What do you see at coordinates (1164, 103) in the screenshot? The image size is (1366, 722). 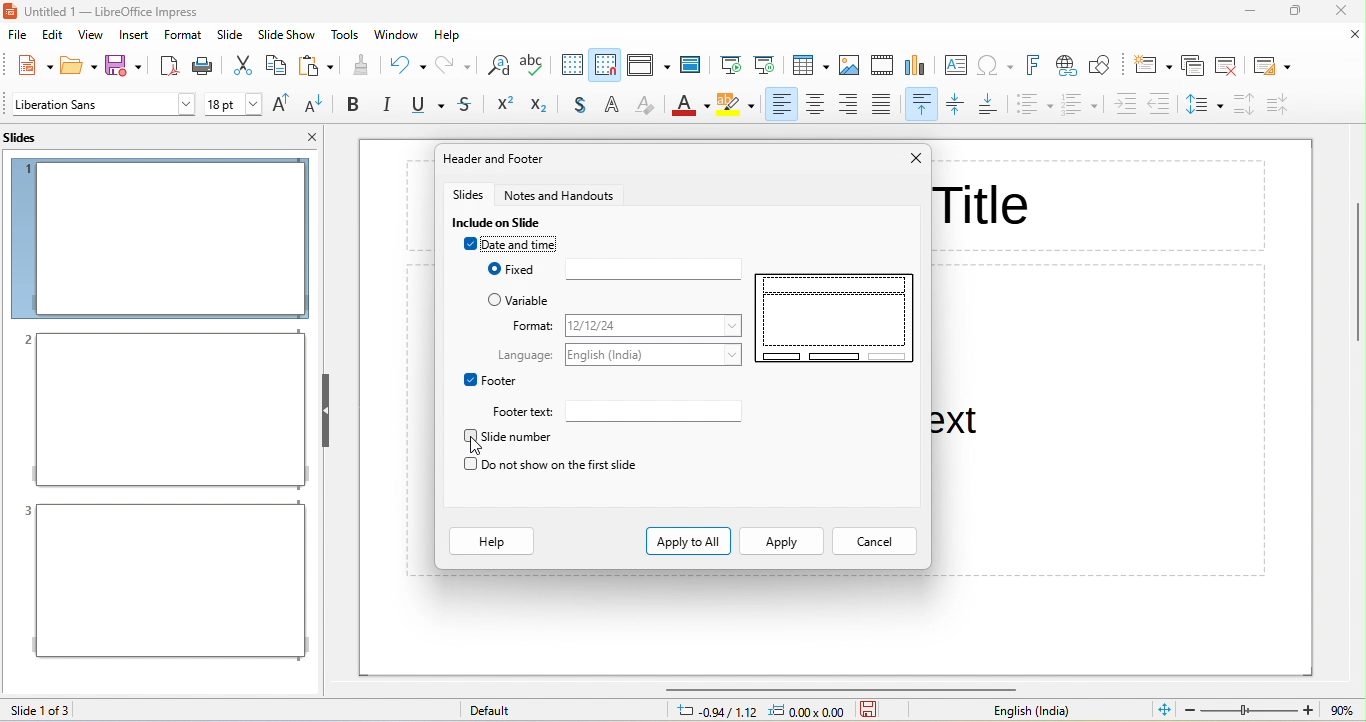 I see `decrease indent` at bounding box center [1164, 103].